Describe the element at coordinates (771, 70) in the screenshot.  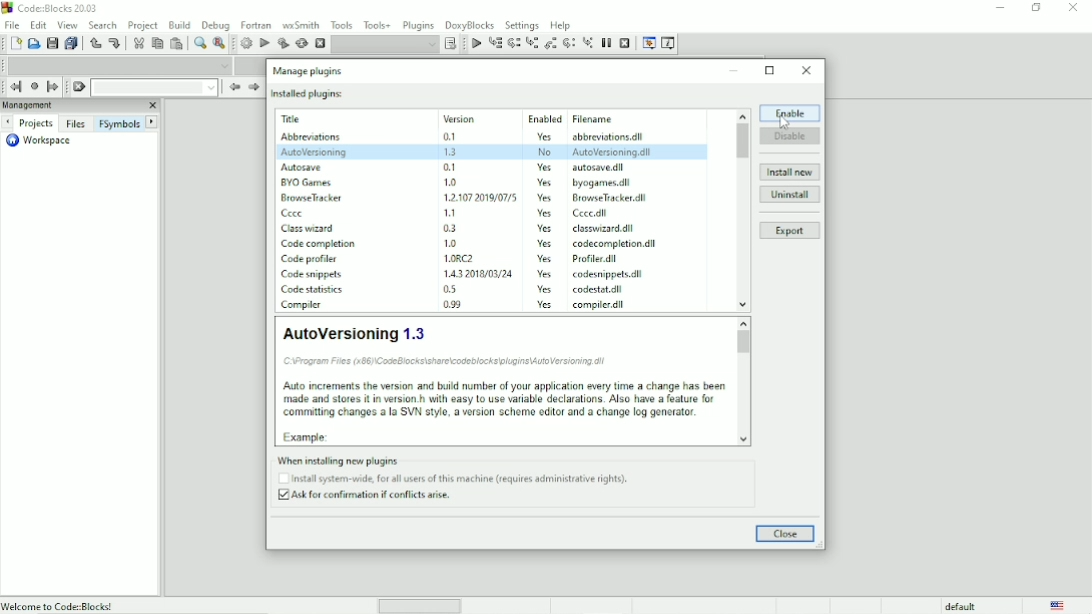
I see `Maximize` at that location.